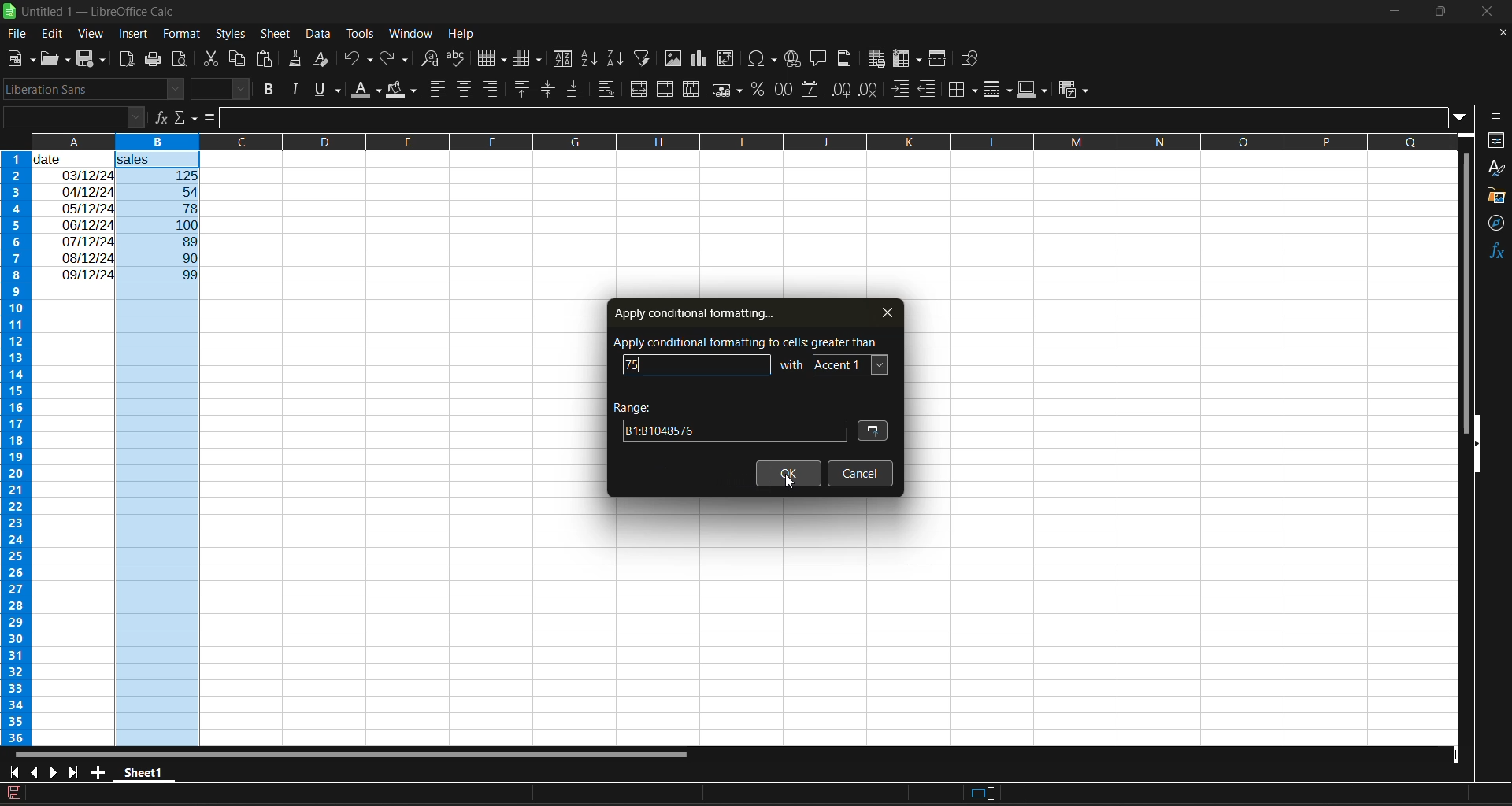 Image resolution: width=1512 pixels, height=806 pixels. What do you see at coordinates (434, 61) in the screenshot?
I see `find and replace` at bounding box center [434, 61].